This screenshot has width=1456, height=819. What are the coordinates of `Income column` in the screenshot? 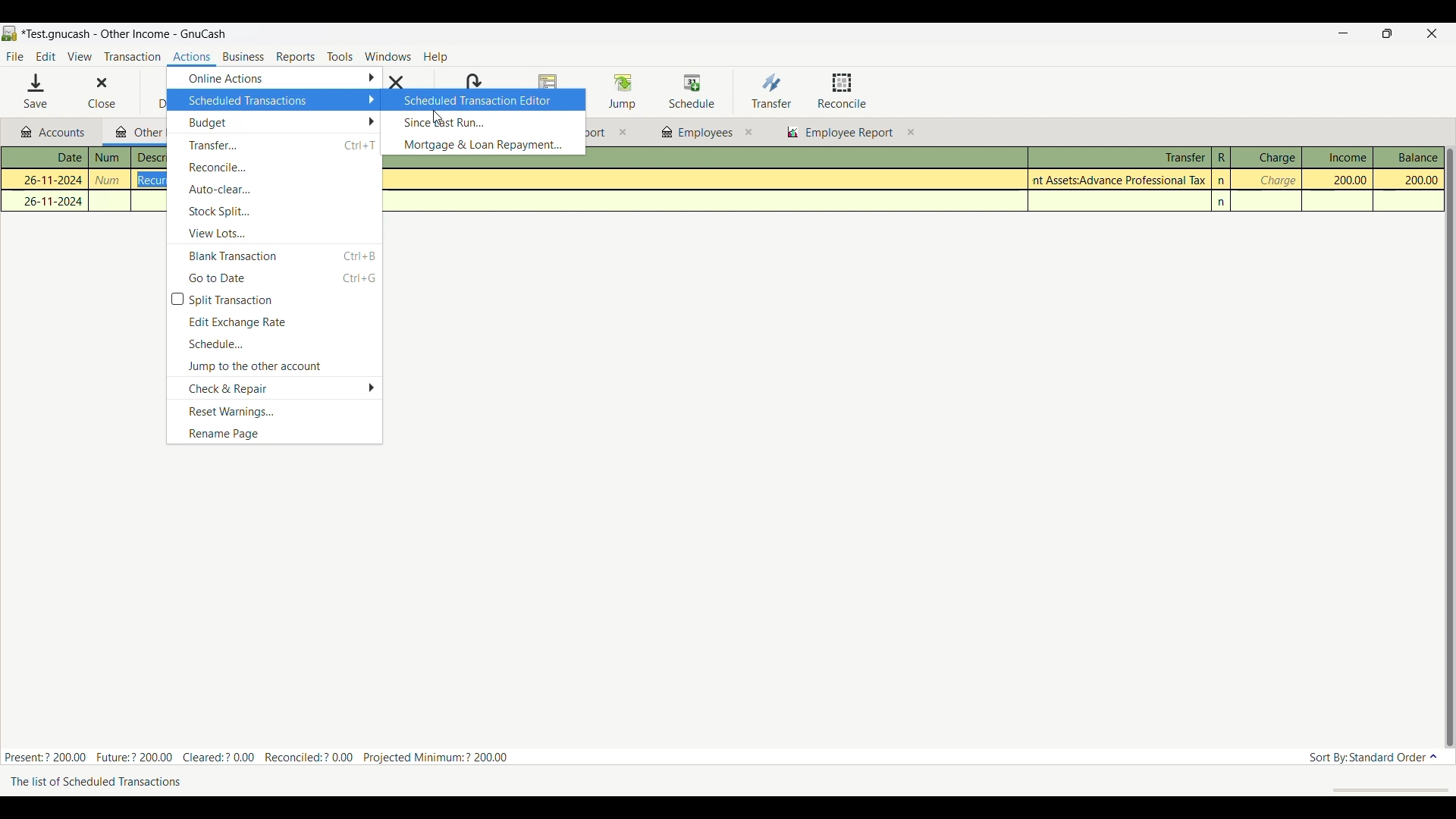 It's located at (1337, 157).